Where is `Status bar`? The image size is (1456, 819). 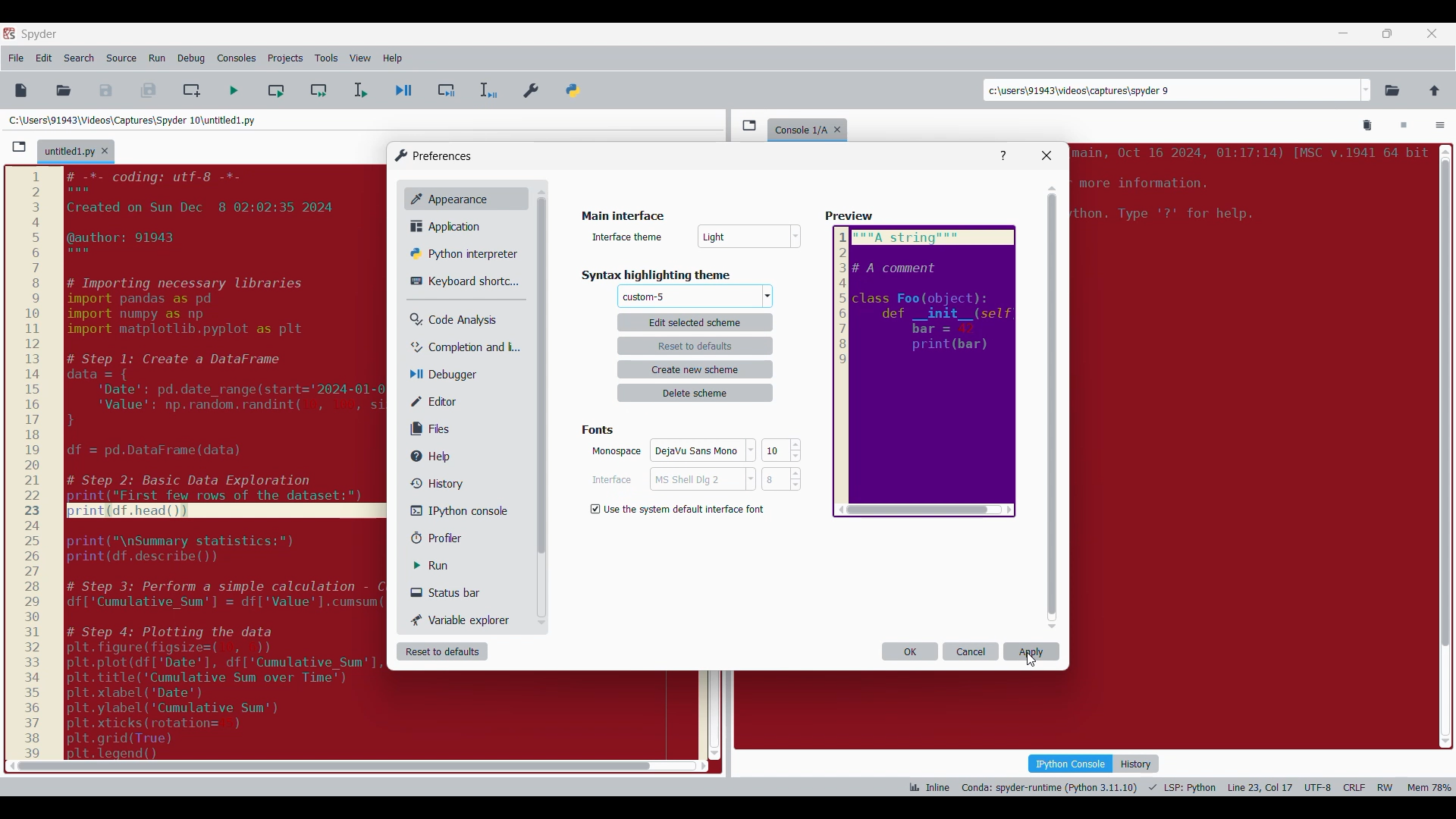 Status bar is located at coordinates (451, 592).